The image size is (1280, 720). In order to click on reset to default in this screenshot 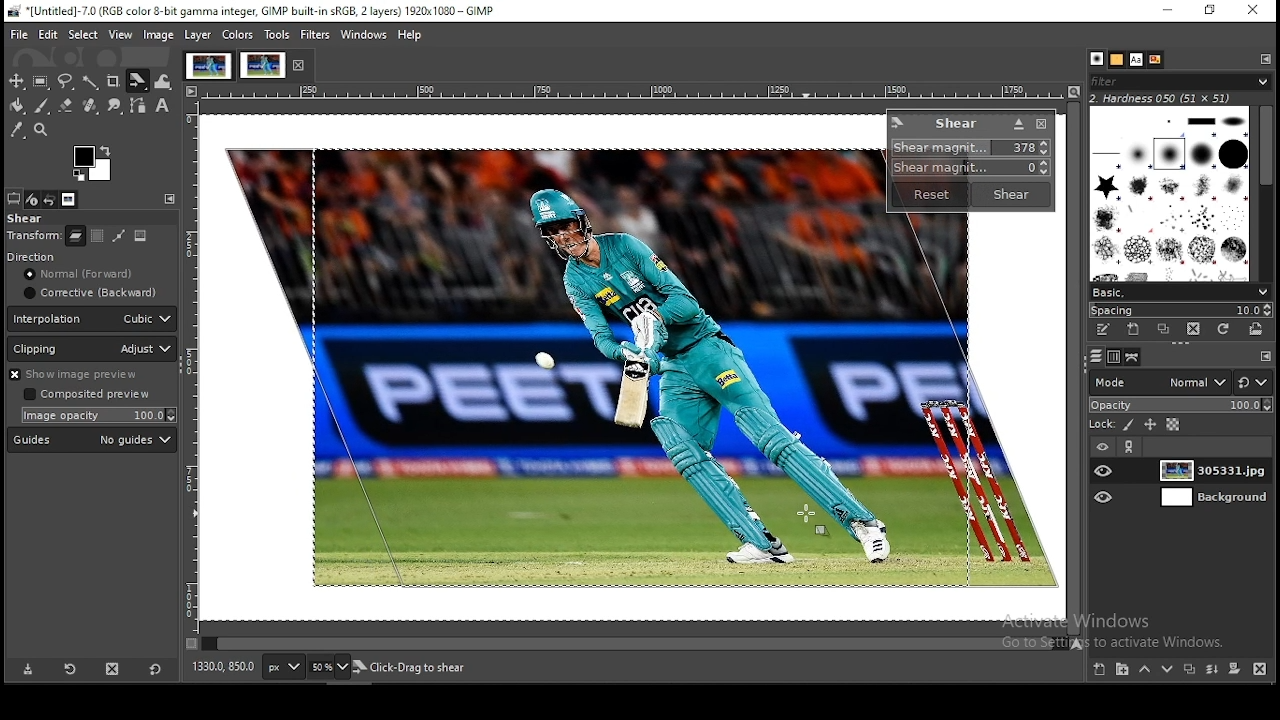, I will do `click(155, 670)`.